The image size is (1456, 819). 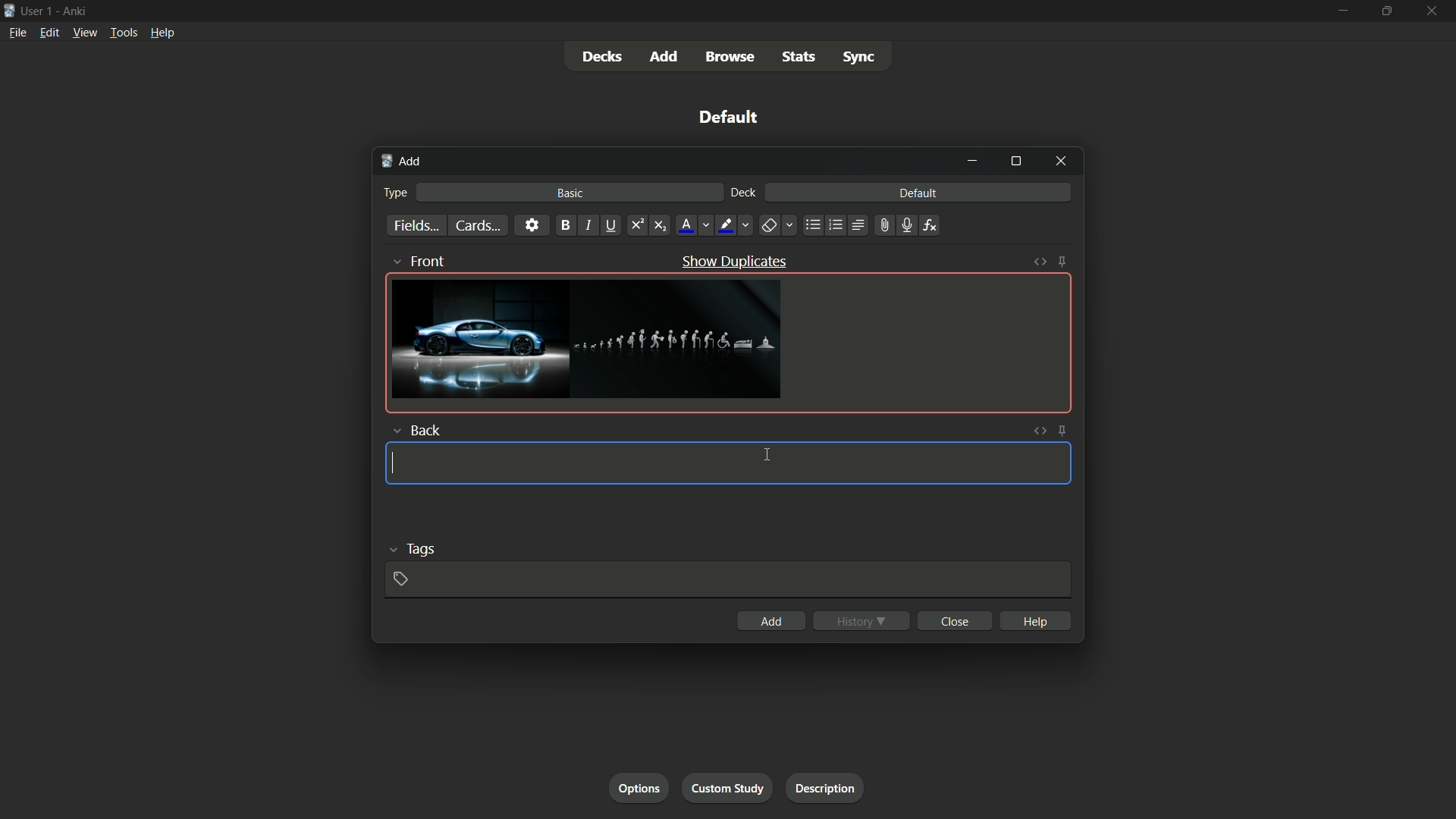 What do you see at coordinates (400, 161) in the screenshot?
I see `add` at bounding box center [400, 161].